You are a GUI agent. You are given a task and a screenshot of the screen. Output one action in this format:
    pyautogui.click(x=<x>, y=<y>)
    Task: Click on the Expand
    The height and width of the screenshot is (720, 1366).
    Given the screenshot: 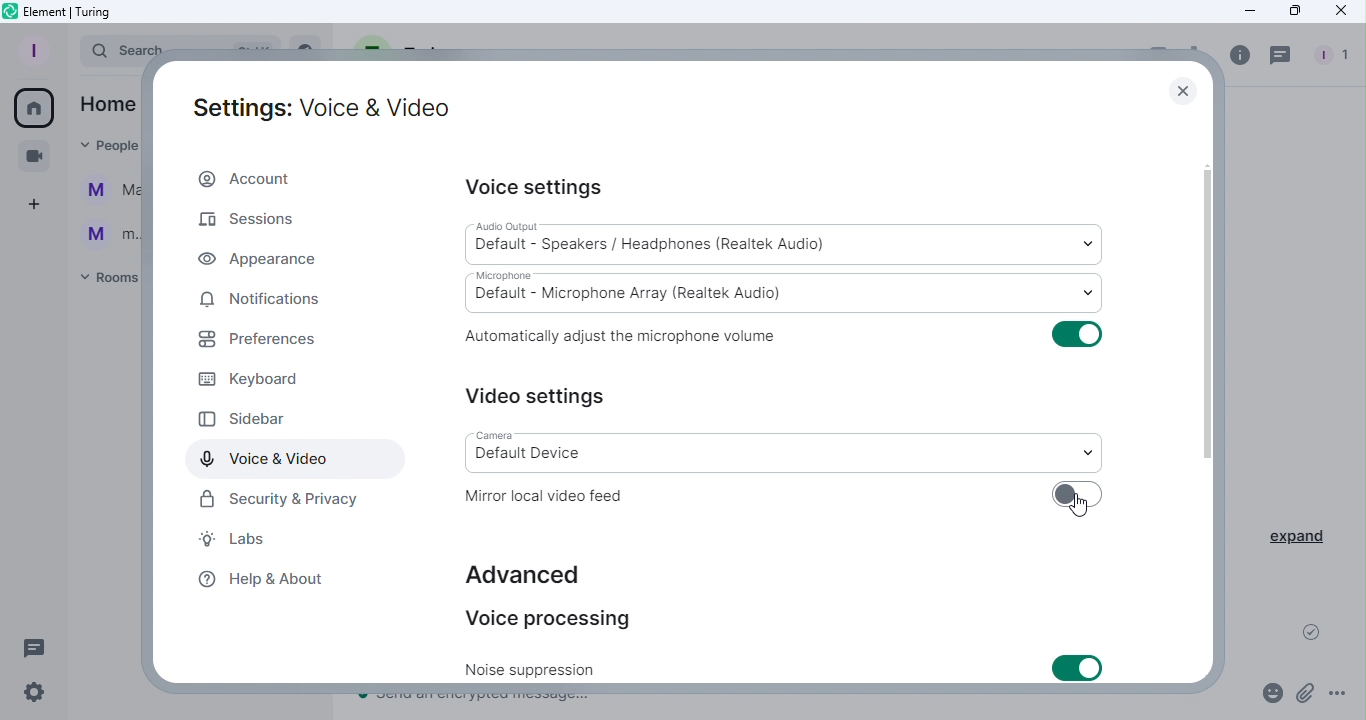 What is the action you would take?
    pyautogui.click(x=1294, y=537)
    